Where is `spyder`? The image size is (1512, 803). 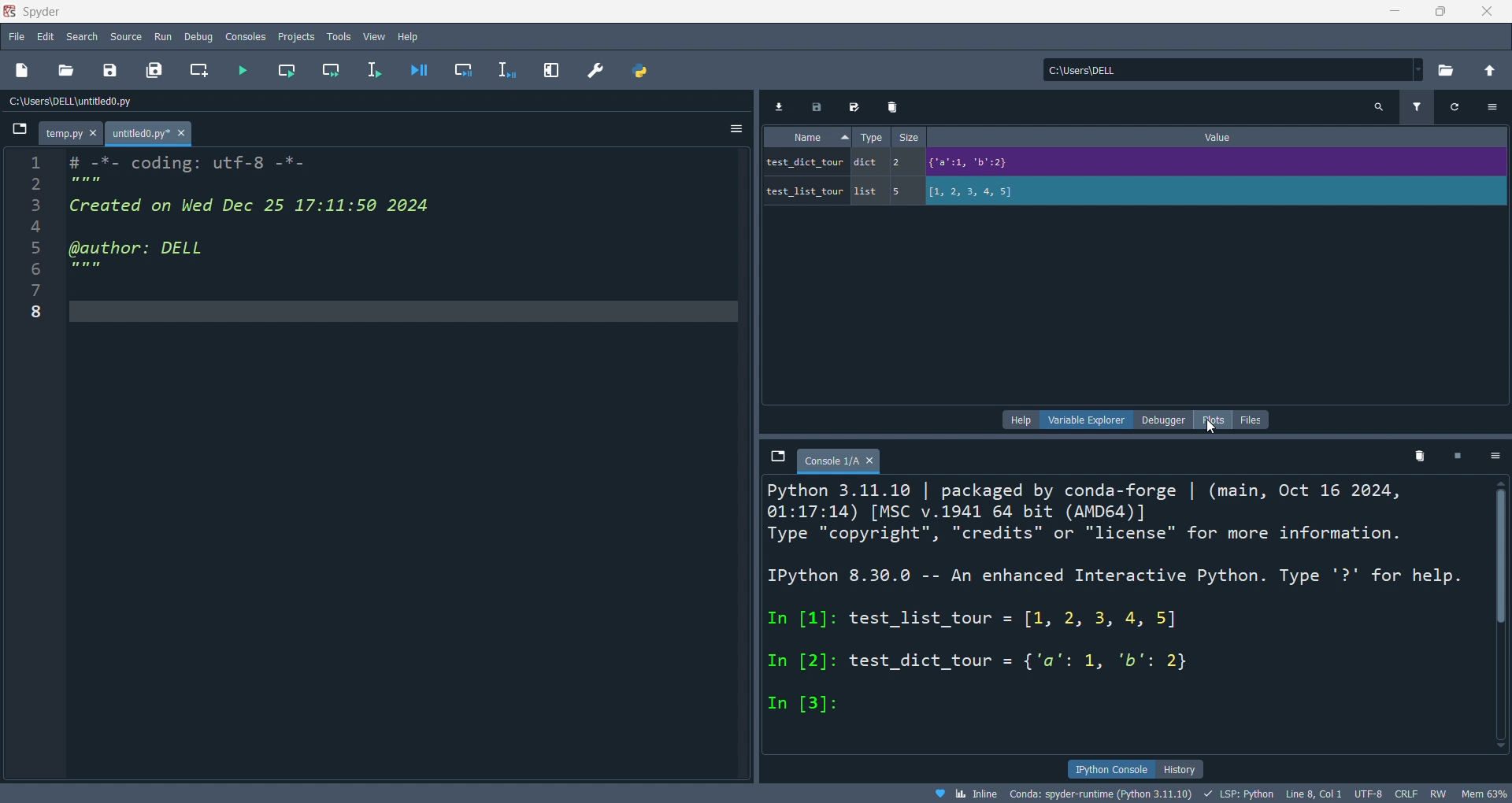 spyder is located at coordinates (43, 12).